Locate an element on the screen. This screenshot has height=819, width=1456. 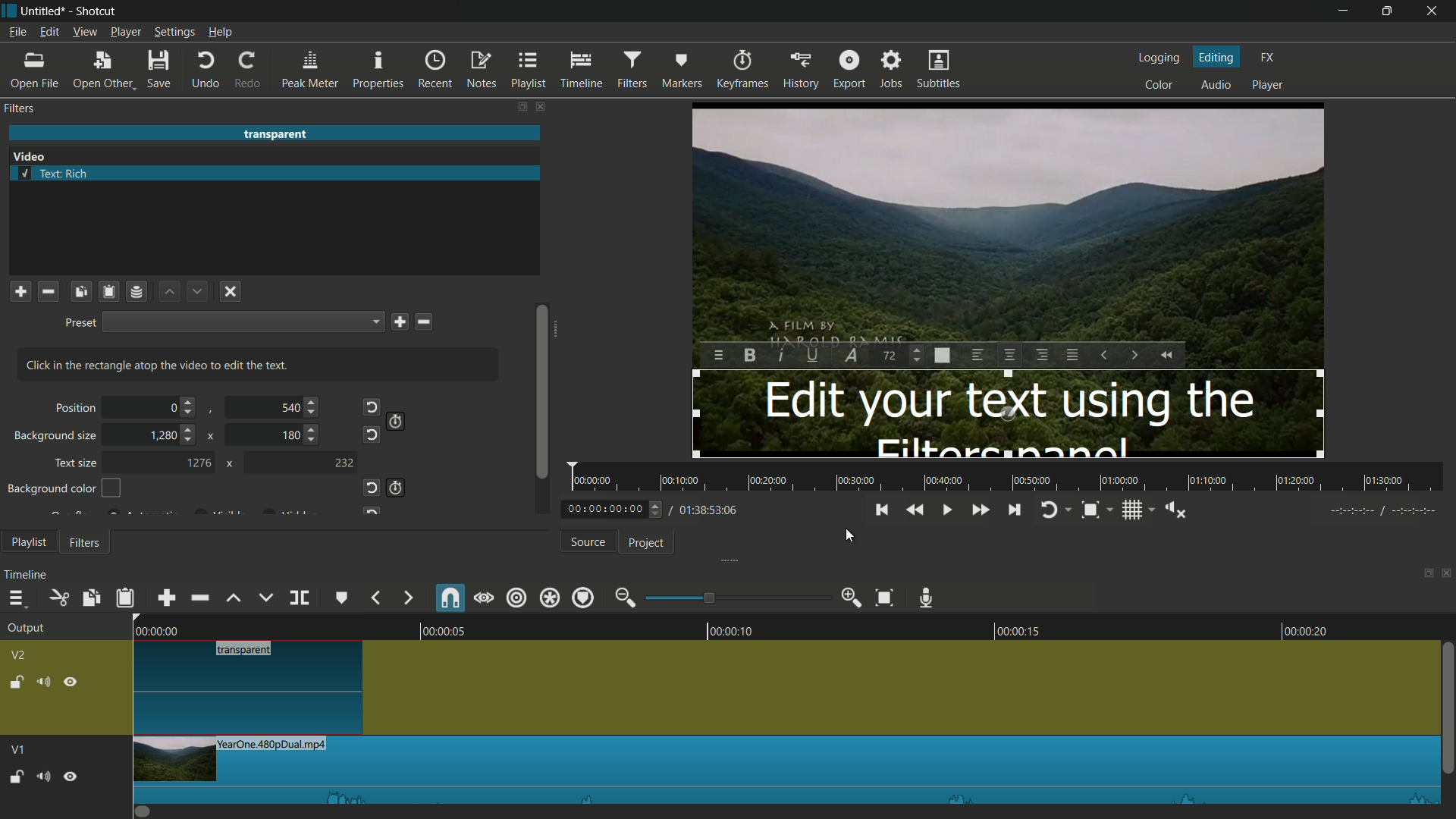
app name is located at coordinates (98, 11).